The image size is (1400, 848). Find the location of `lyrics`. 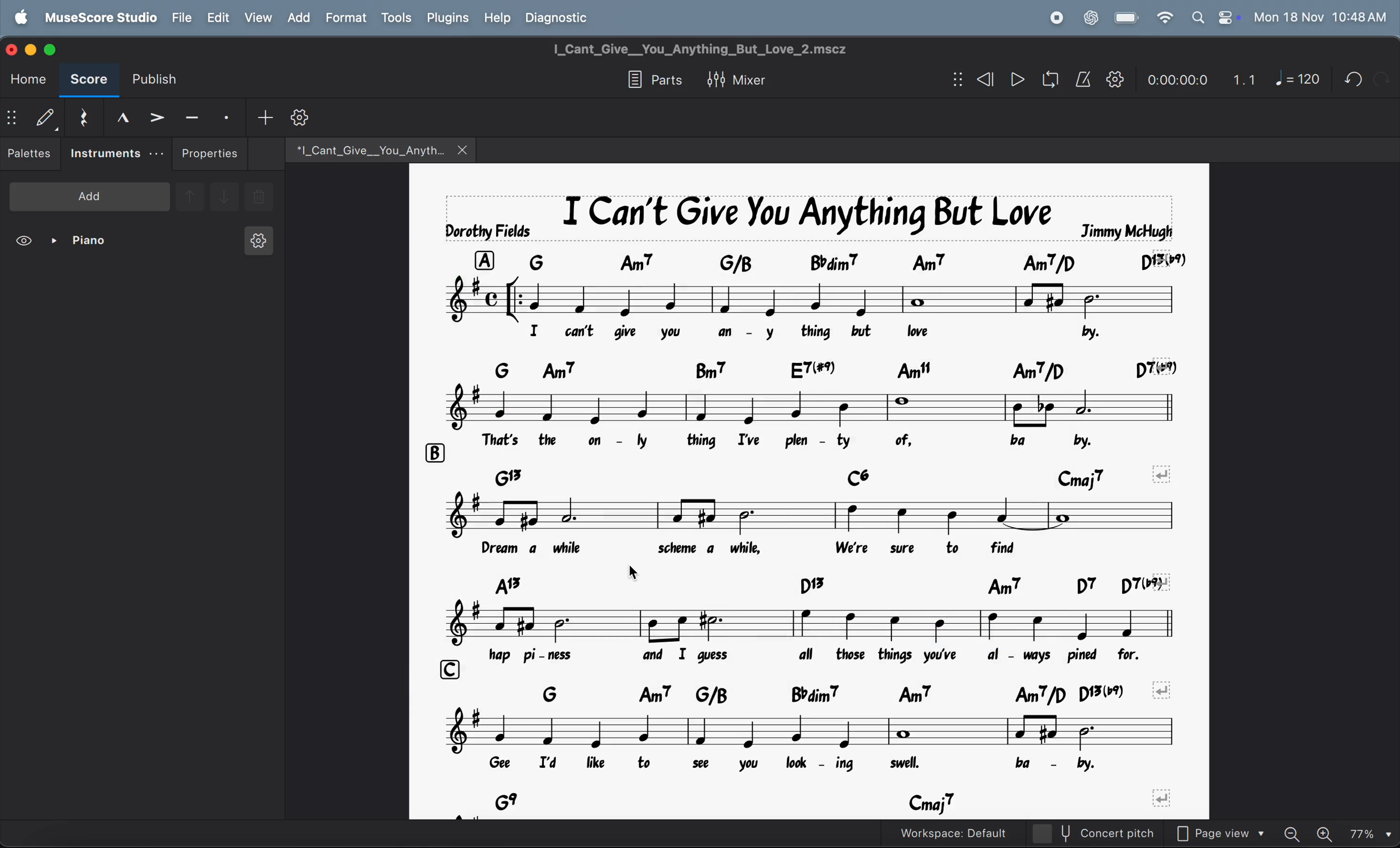

lyrics is located at coordinates (790, 765).